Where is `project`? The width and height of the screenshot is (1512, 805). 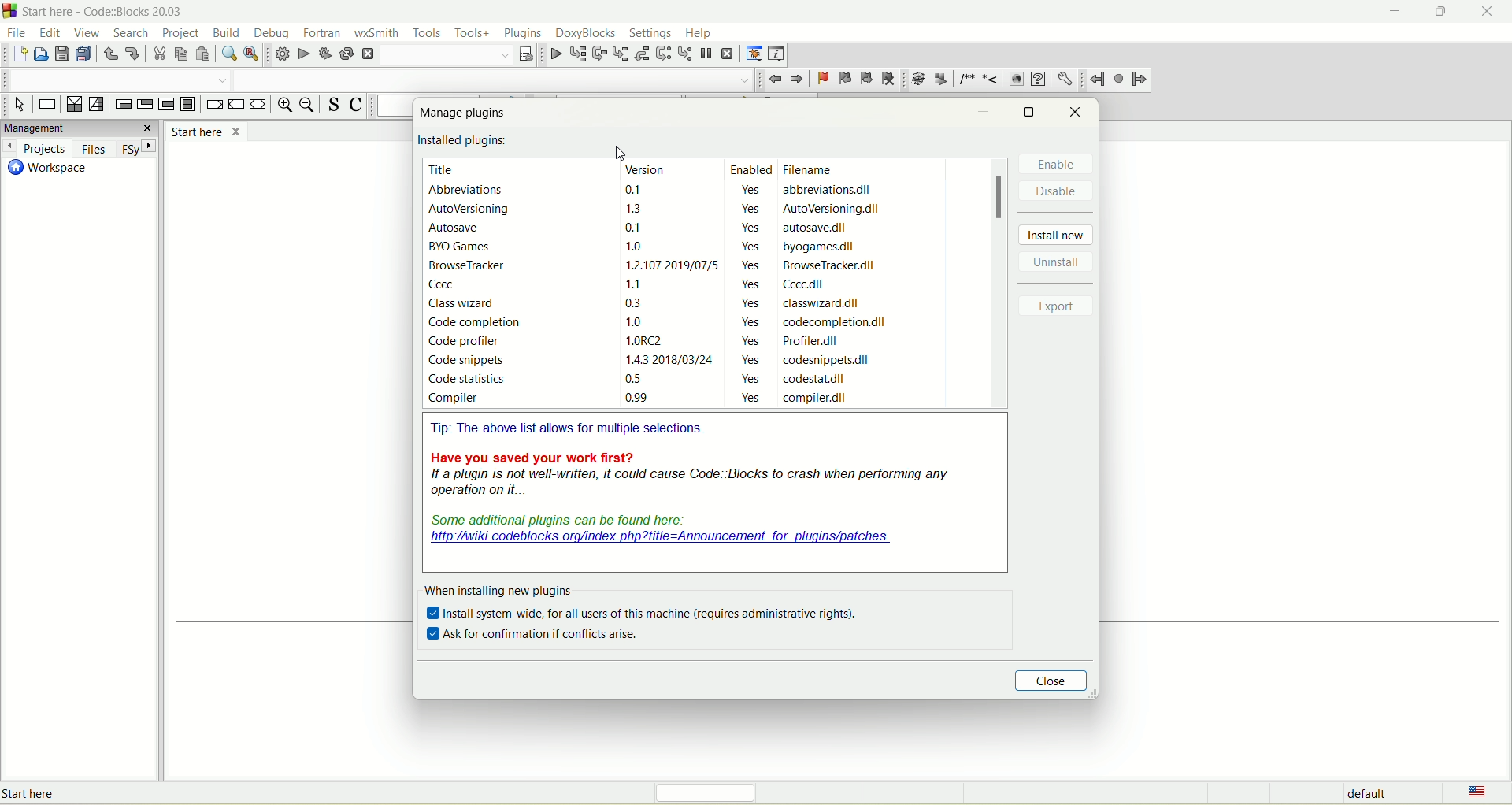 project is located at coordinates (182, 32).